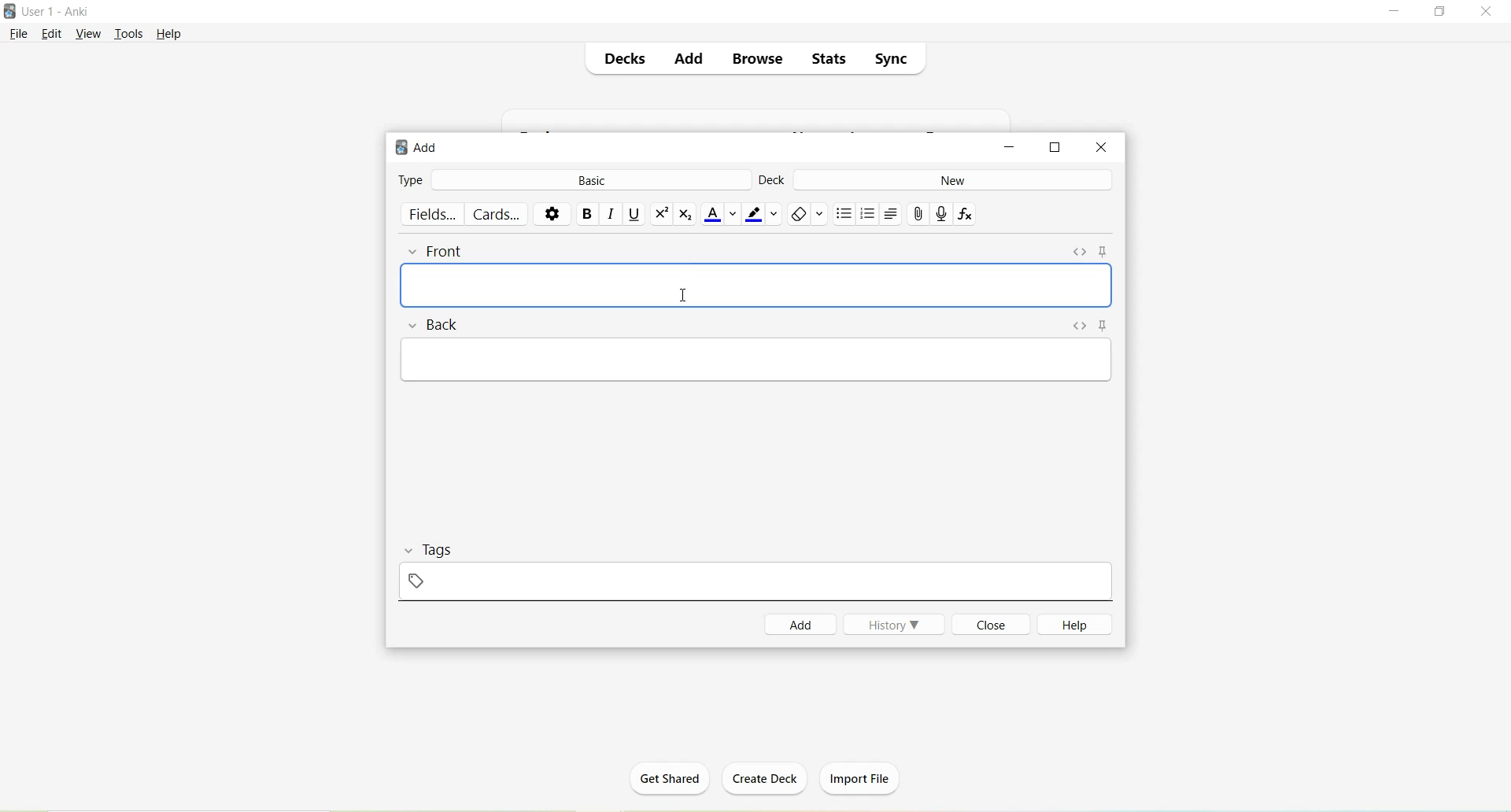  What do you see at coordinates (751, 60) in the screenshot?
I see `Browse` at bounding box center [751, 60].